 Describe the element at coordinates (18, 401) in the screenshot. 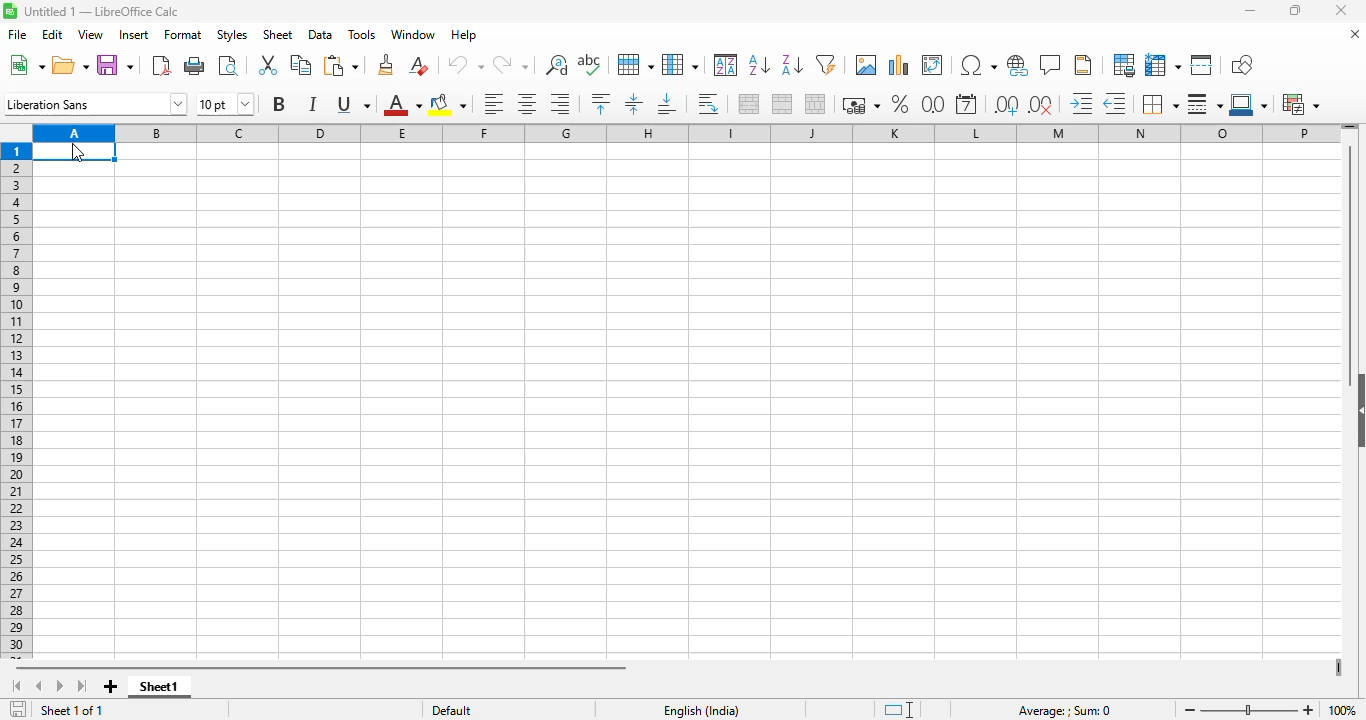

I see `rows` at that location.